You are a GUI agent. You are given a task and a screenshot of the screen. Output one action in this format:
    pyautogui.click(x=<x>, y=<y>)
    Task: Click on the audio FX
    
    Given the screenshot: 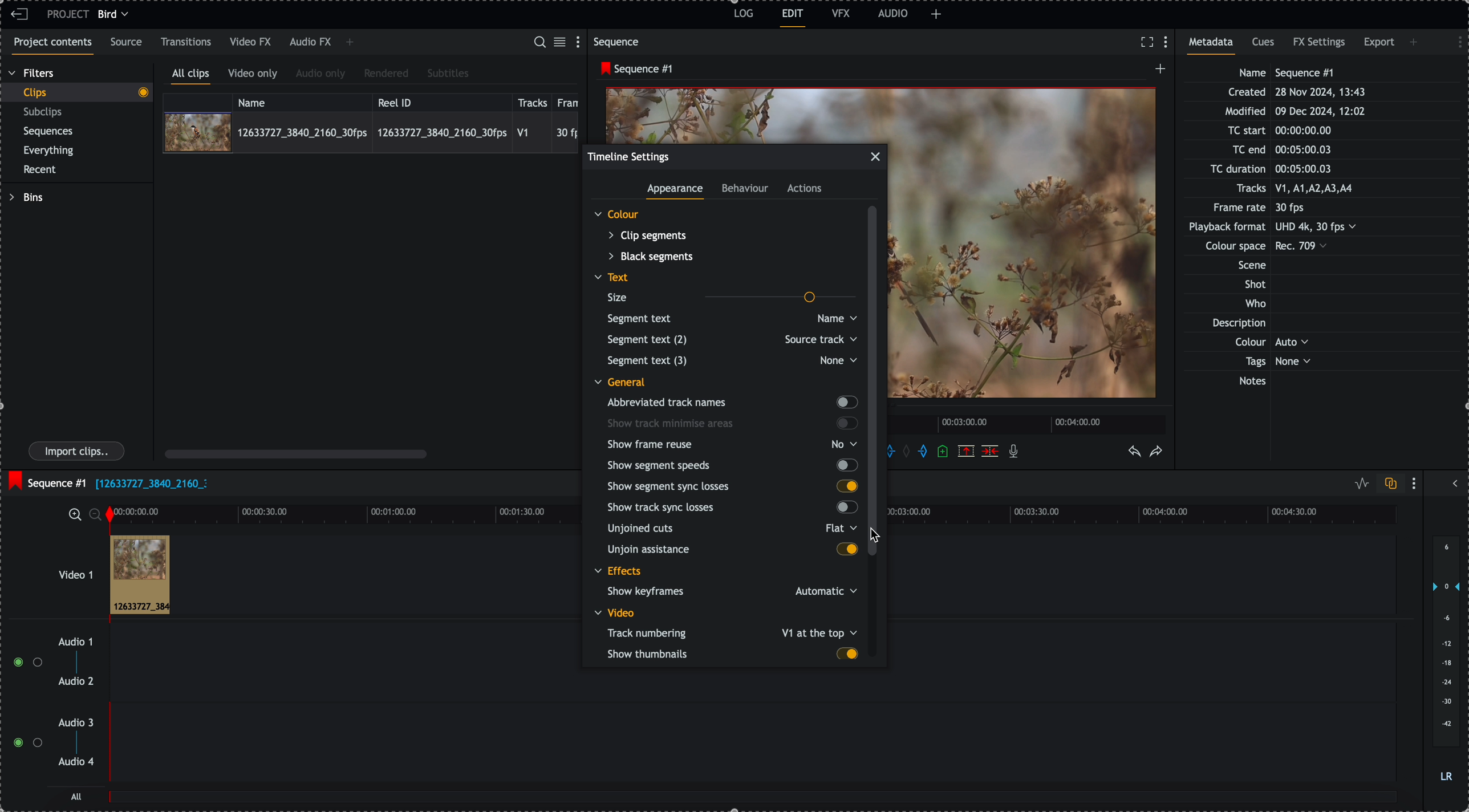 What is the action you would take?
    pyautogui.click(x=310, y=43)
    